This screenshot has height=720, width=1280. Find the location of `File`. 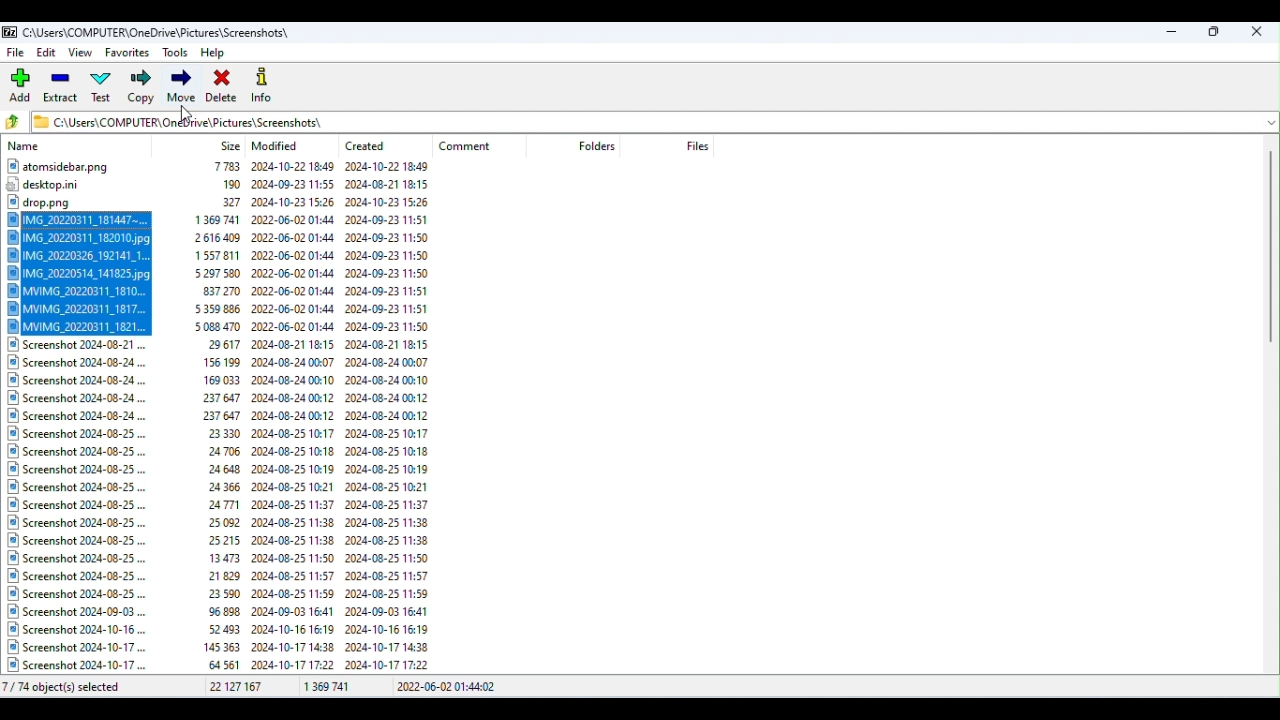

File is located at coordinates (17, 52).